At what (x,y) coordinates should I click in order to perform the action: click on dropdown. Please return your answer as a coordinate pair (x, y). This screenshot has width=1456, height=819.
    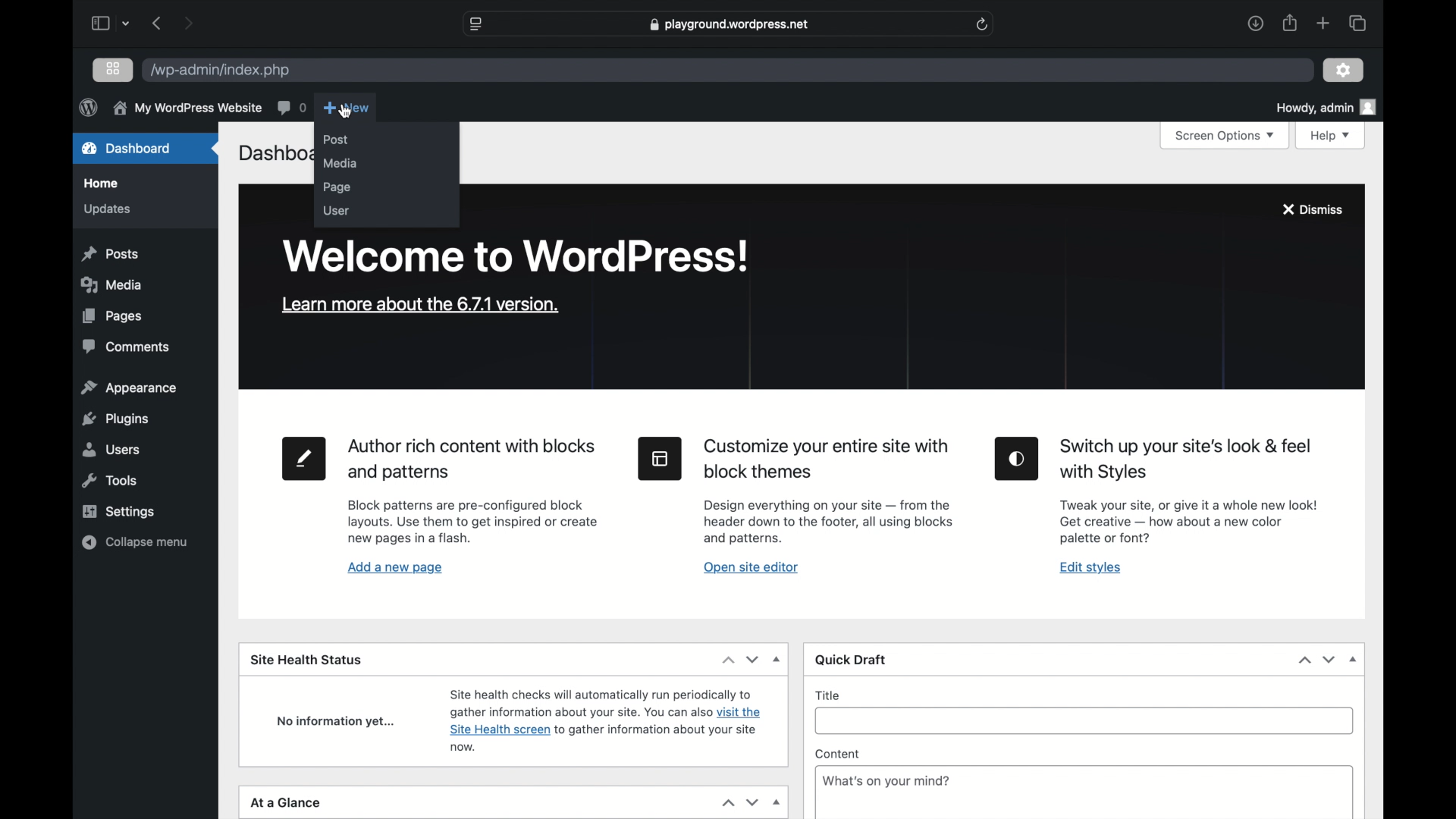
    Looking at the image, I should click on (778, 660).